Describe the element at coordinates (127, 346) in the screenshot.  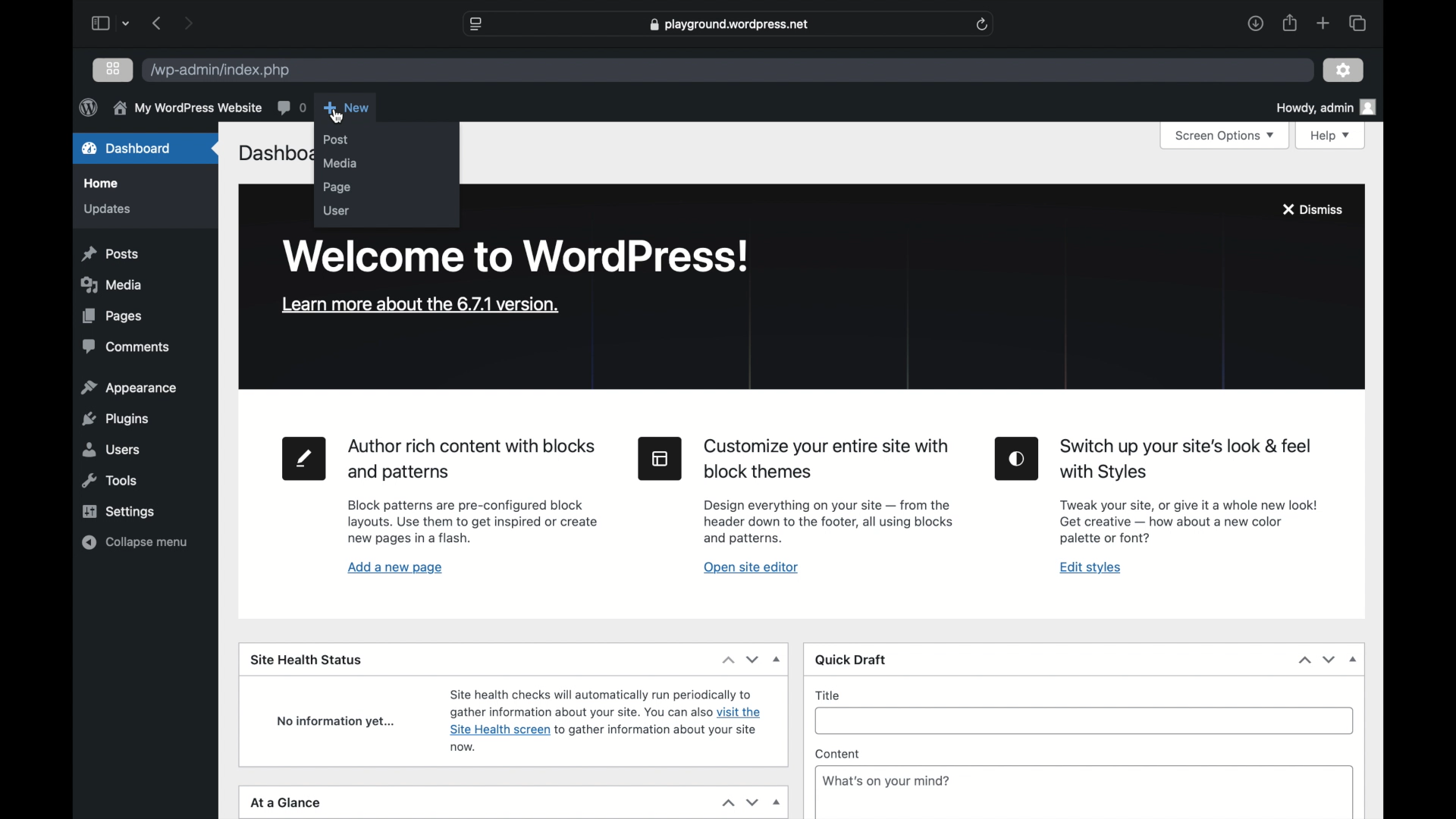
I see `comments` at that location.